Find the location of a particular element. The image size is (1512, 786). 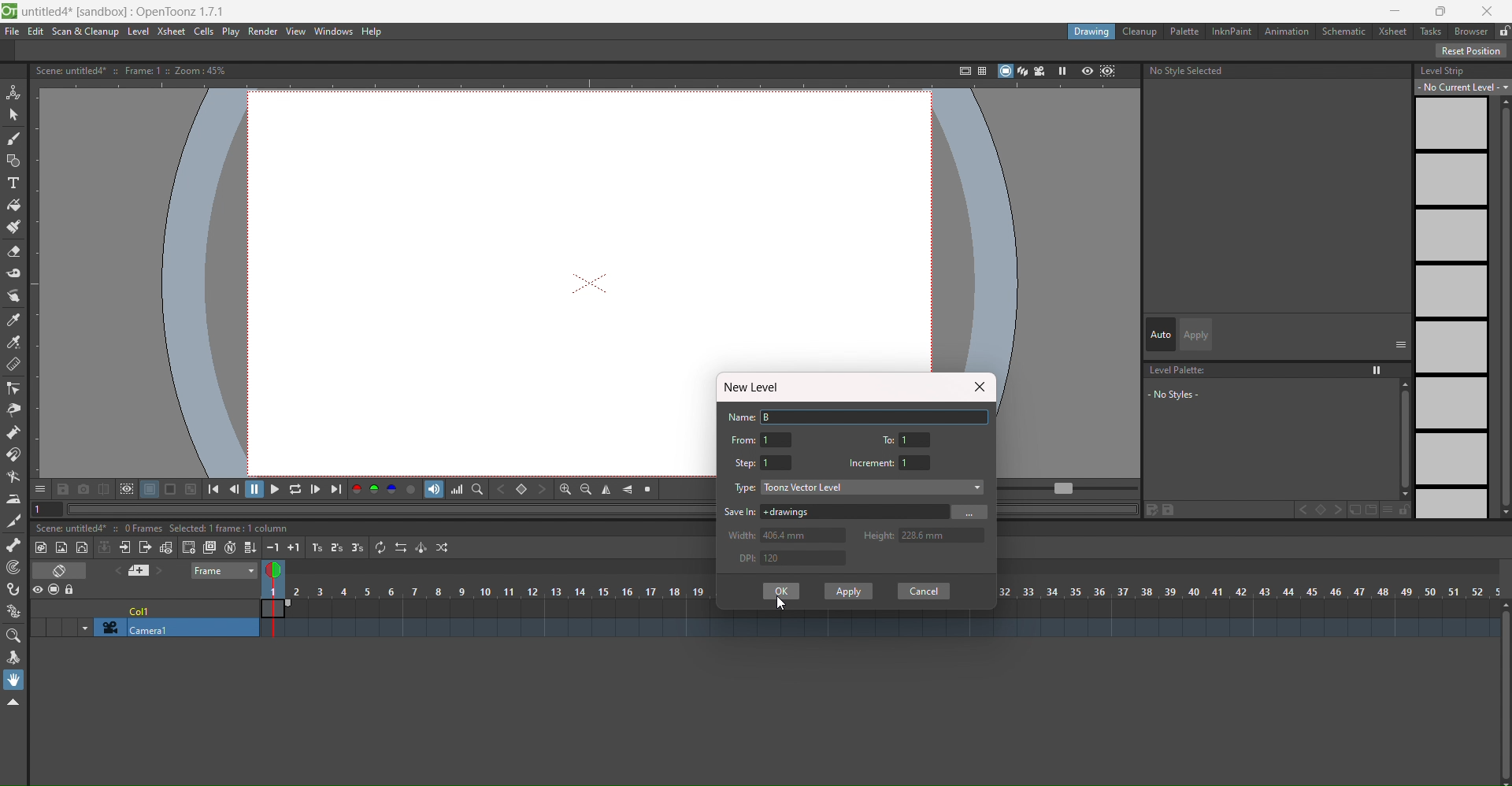

edit is located at coordinates (36, 32).